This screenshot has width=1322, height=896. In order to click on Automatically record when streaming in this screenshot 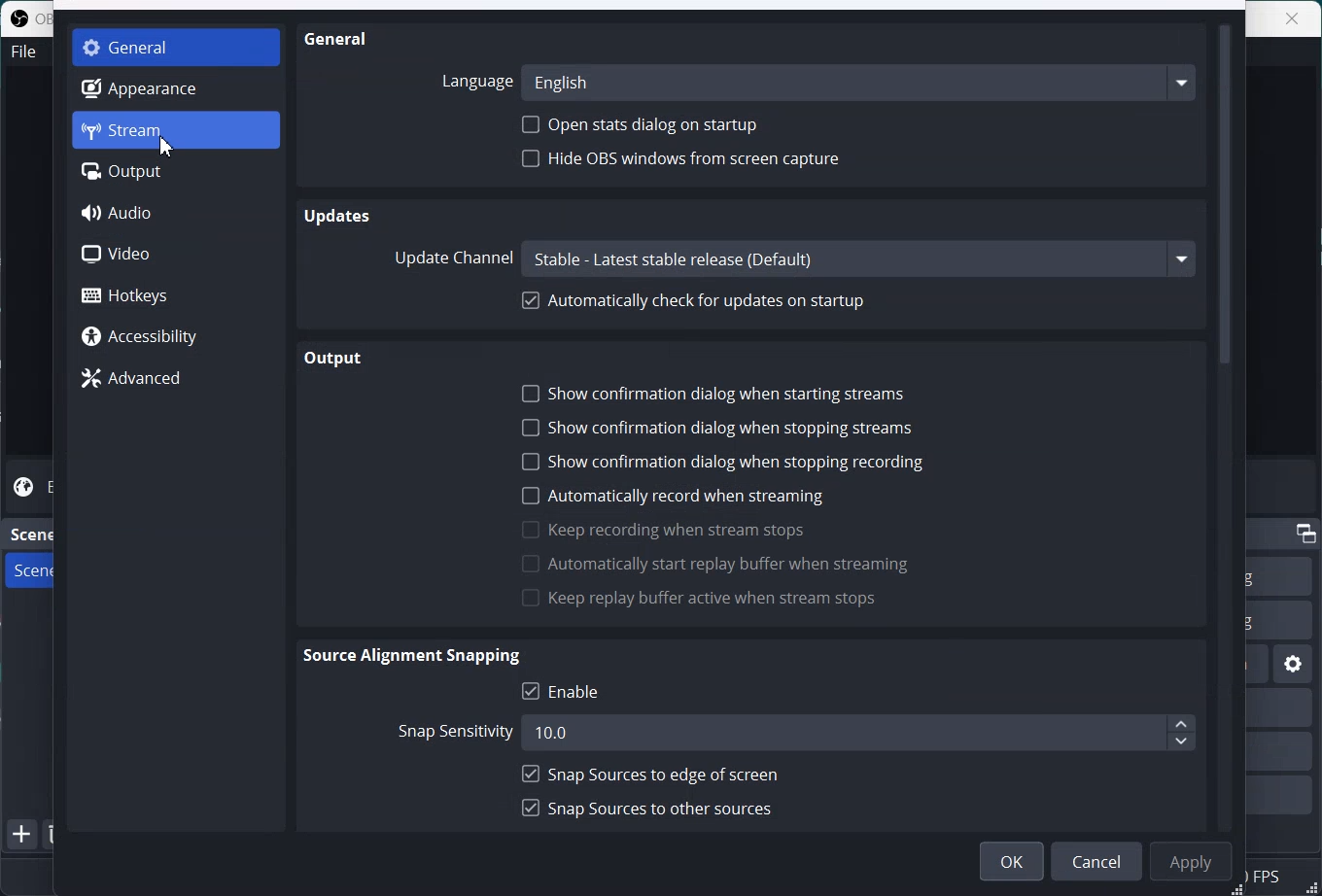, I will do `click(672, 495)`.